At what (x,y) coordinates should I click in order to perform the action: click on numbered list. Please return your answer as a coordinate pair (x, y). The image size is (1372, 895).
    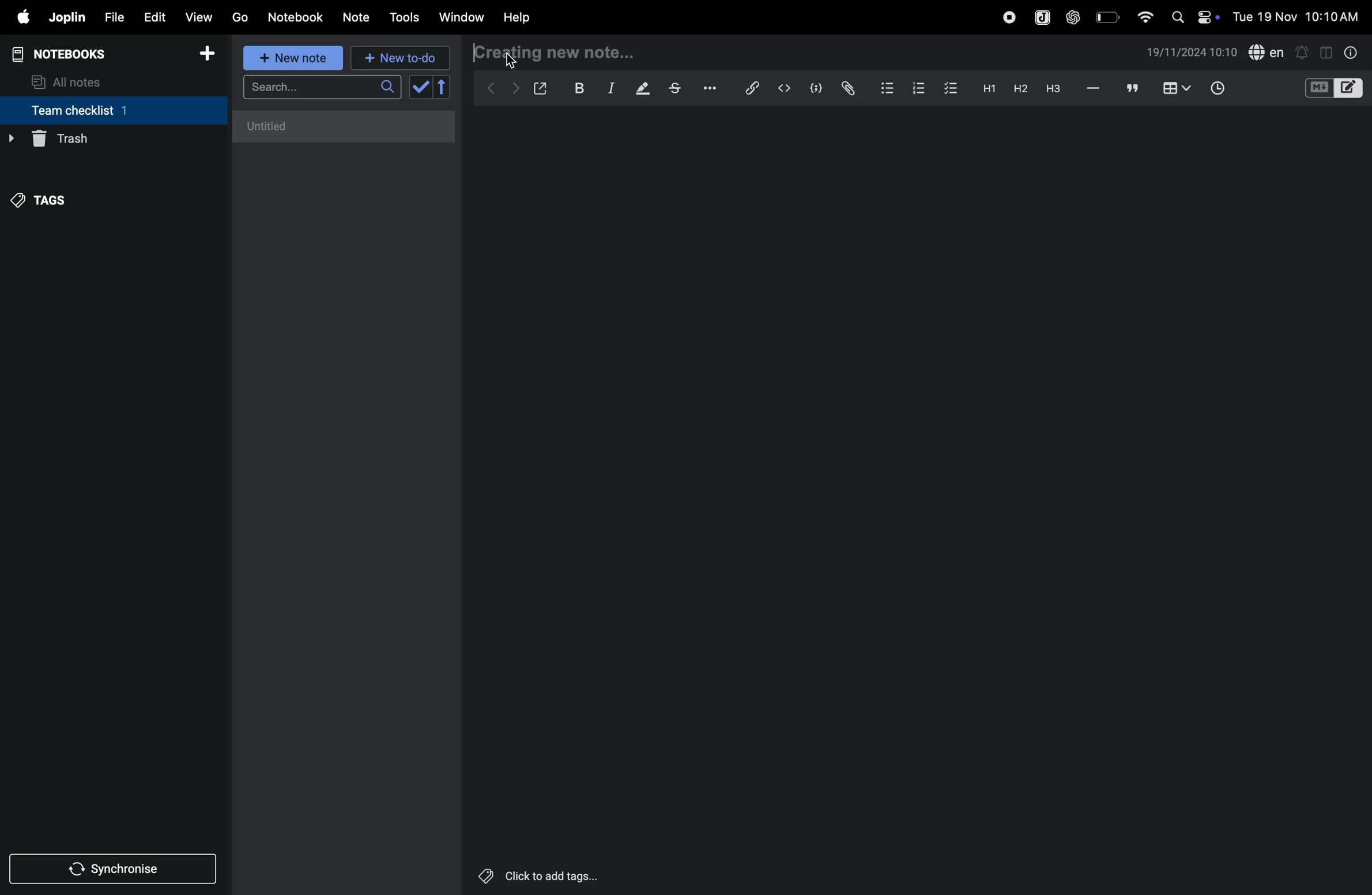
    Looking at the image, I should click on (916, 87).